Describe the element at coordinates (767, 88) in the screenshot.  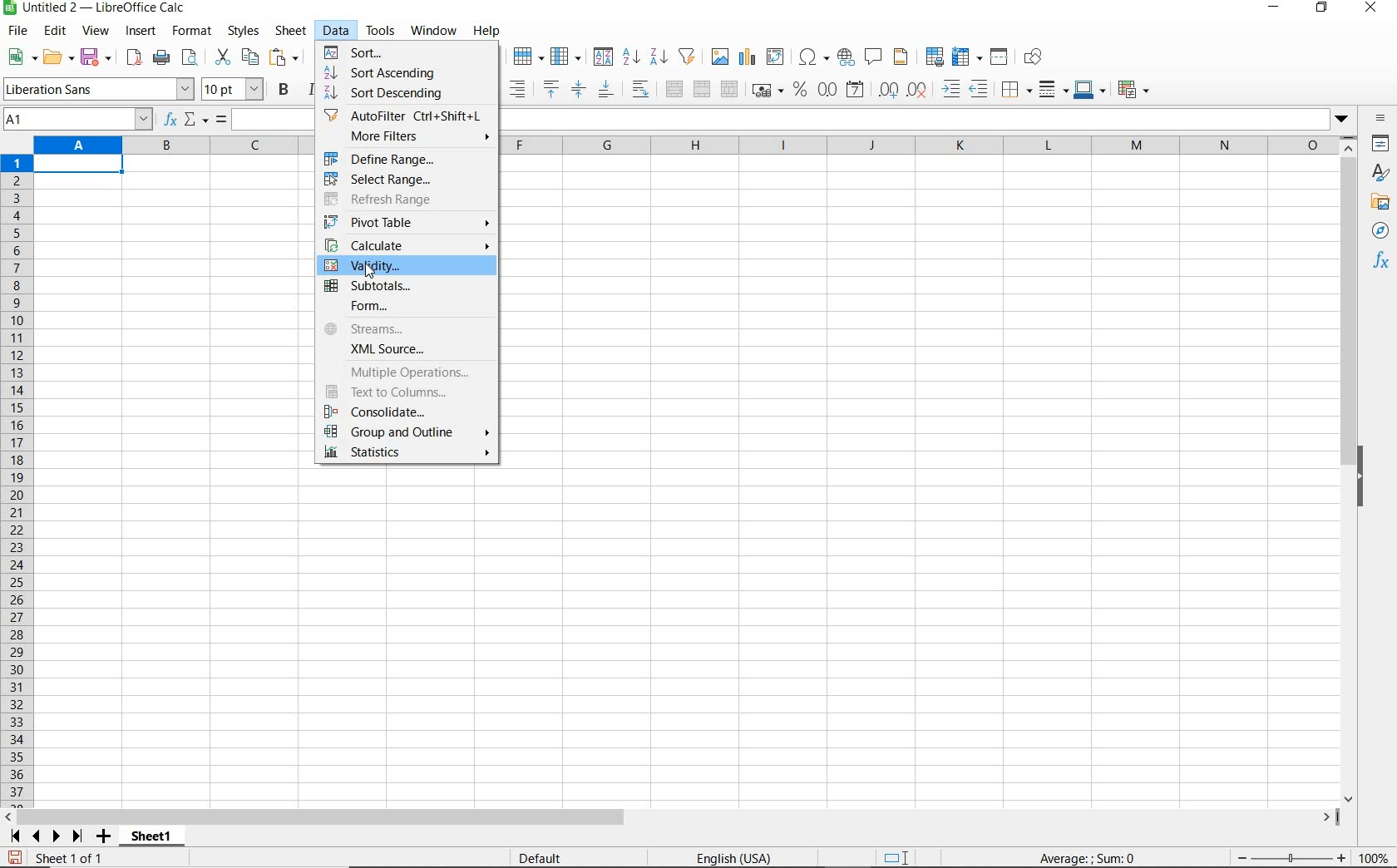
I see `format as currency` at that location.